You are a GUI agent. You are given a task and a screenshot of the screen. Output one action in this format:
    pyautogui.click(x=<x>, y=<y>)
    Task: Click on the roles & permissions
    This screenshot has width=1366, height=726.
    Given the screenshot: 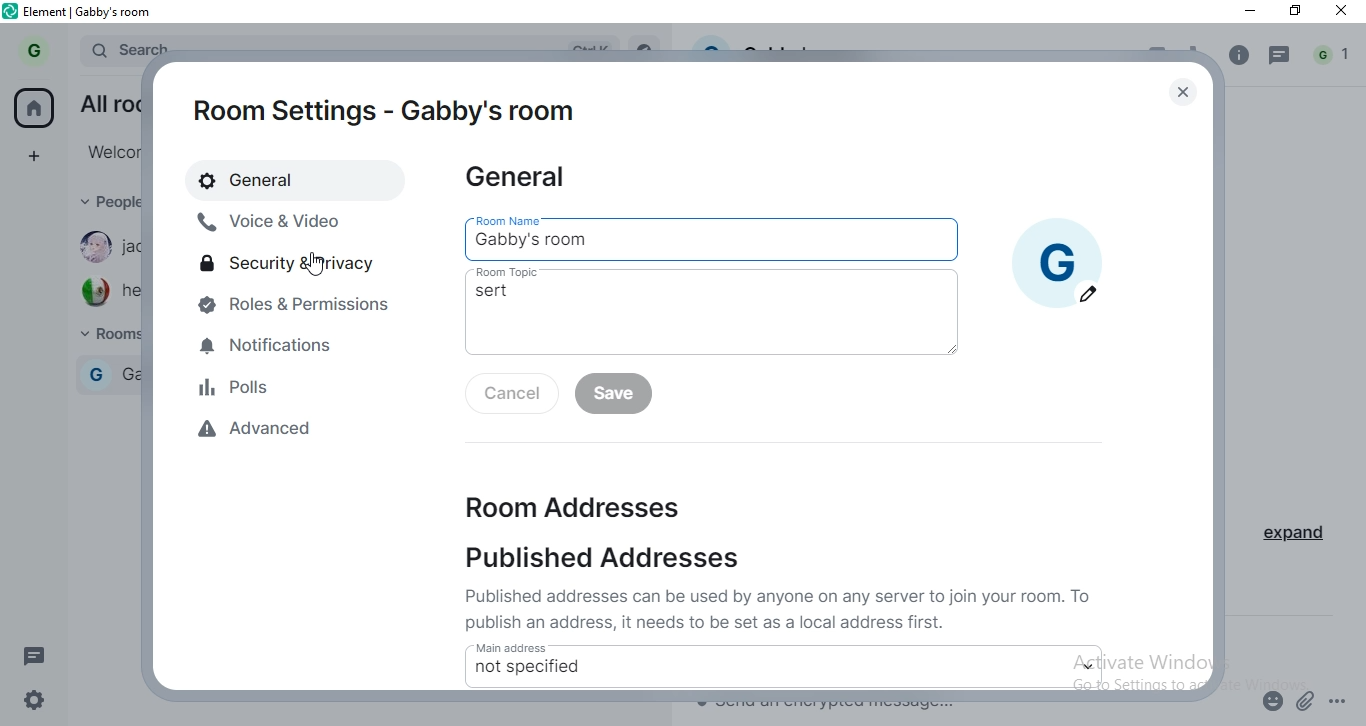 What is the action you would take?
    pyautogui.click(x=297, y=311)
    